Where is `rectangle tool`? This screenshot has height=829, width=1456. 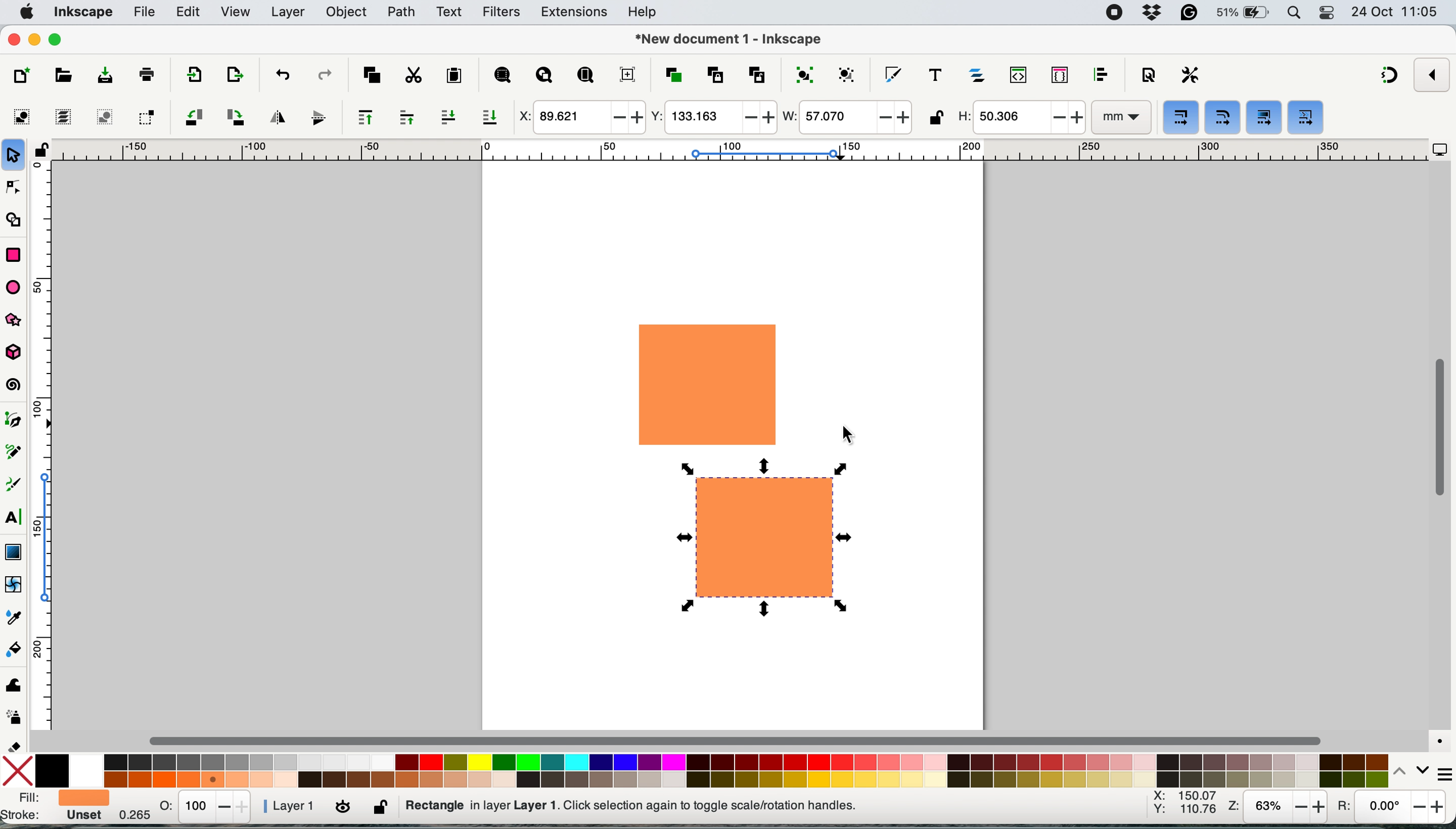
rectangle tool is located at coordinates (13, 253).